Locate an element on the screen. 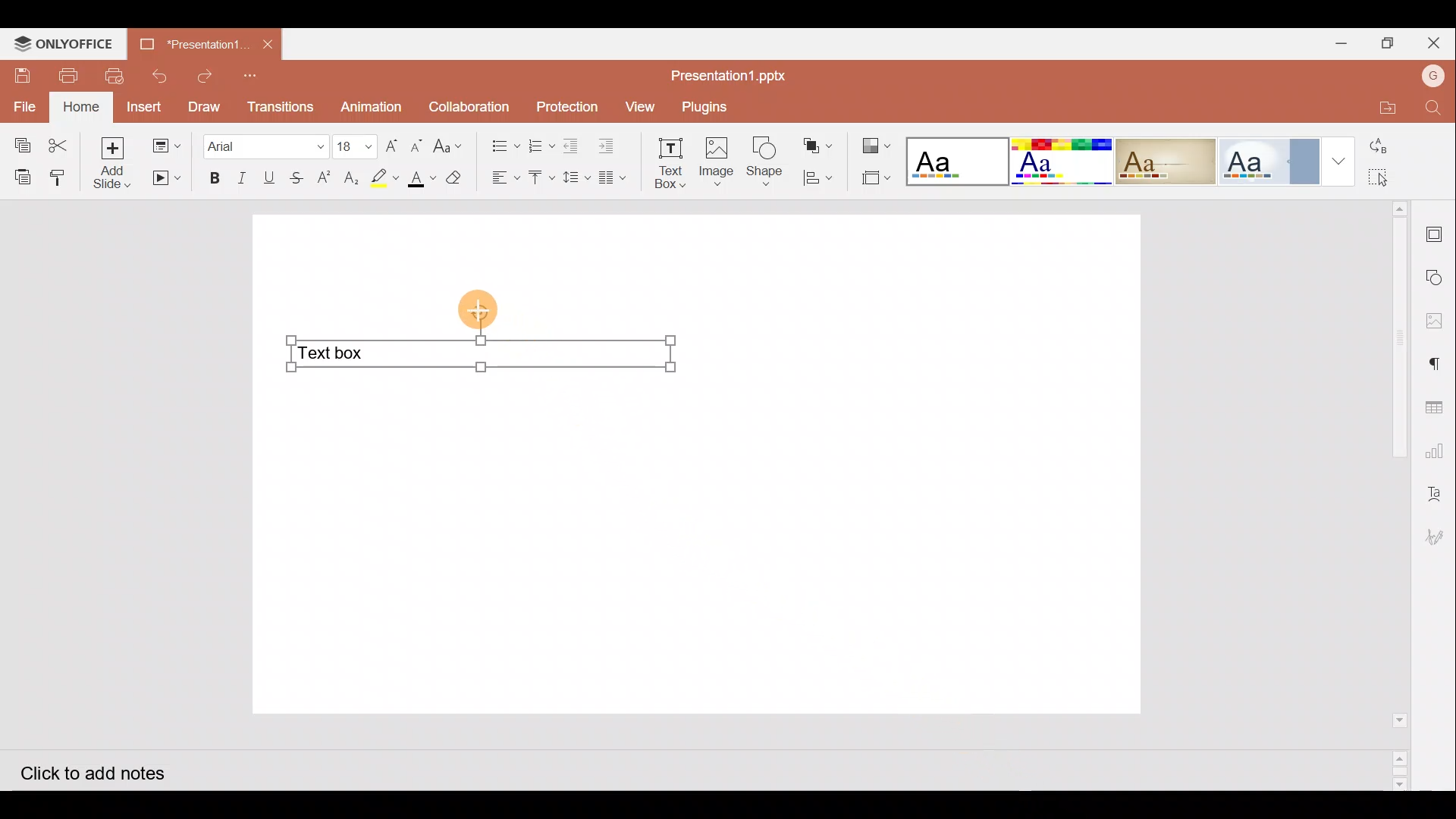  Quick print is located at coordinates (112, 77).